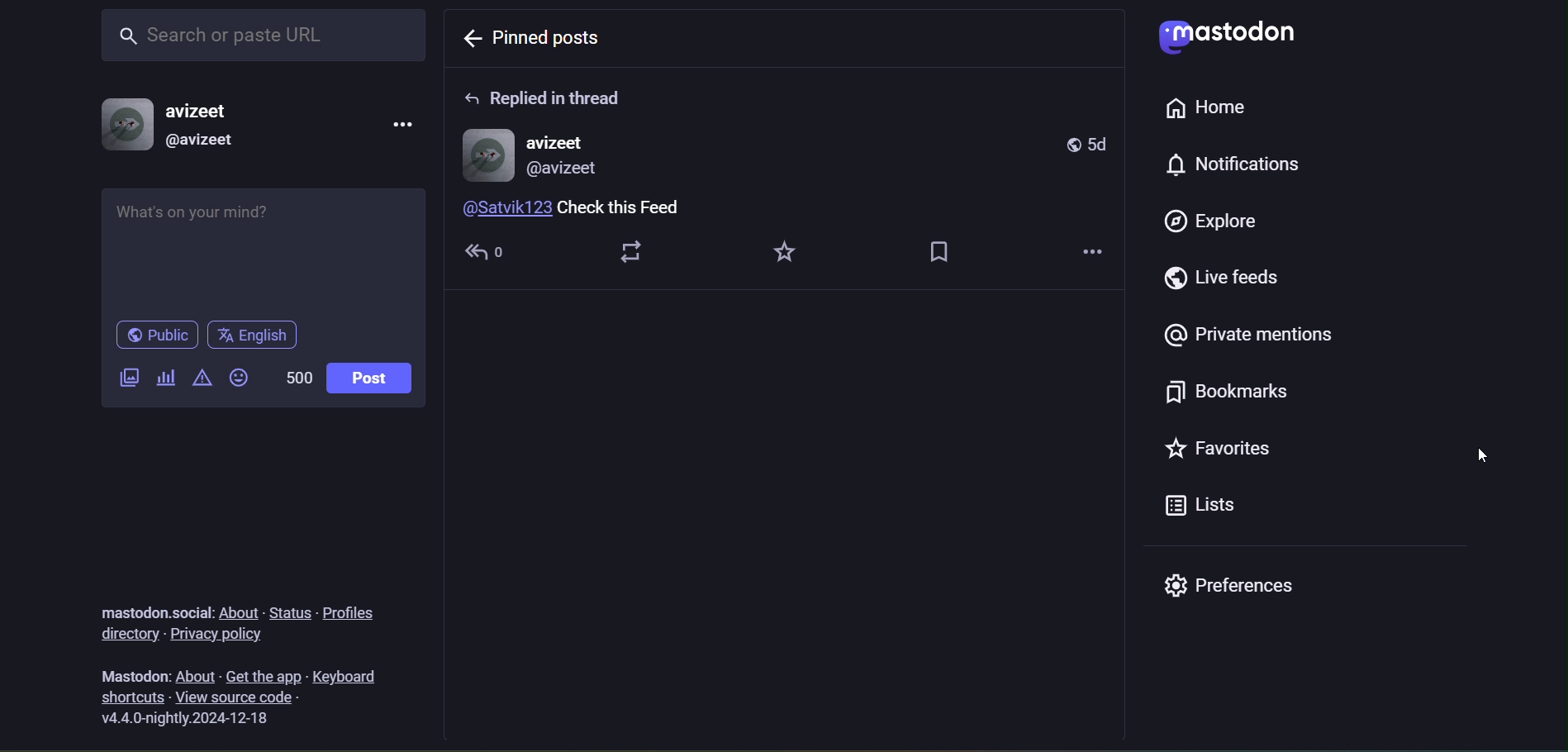 This screenshot has height=752, width=1568. Describe the element at coordinates (786, 255) in the screenshot. I see `favorite` at that location.